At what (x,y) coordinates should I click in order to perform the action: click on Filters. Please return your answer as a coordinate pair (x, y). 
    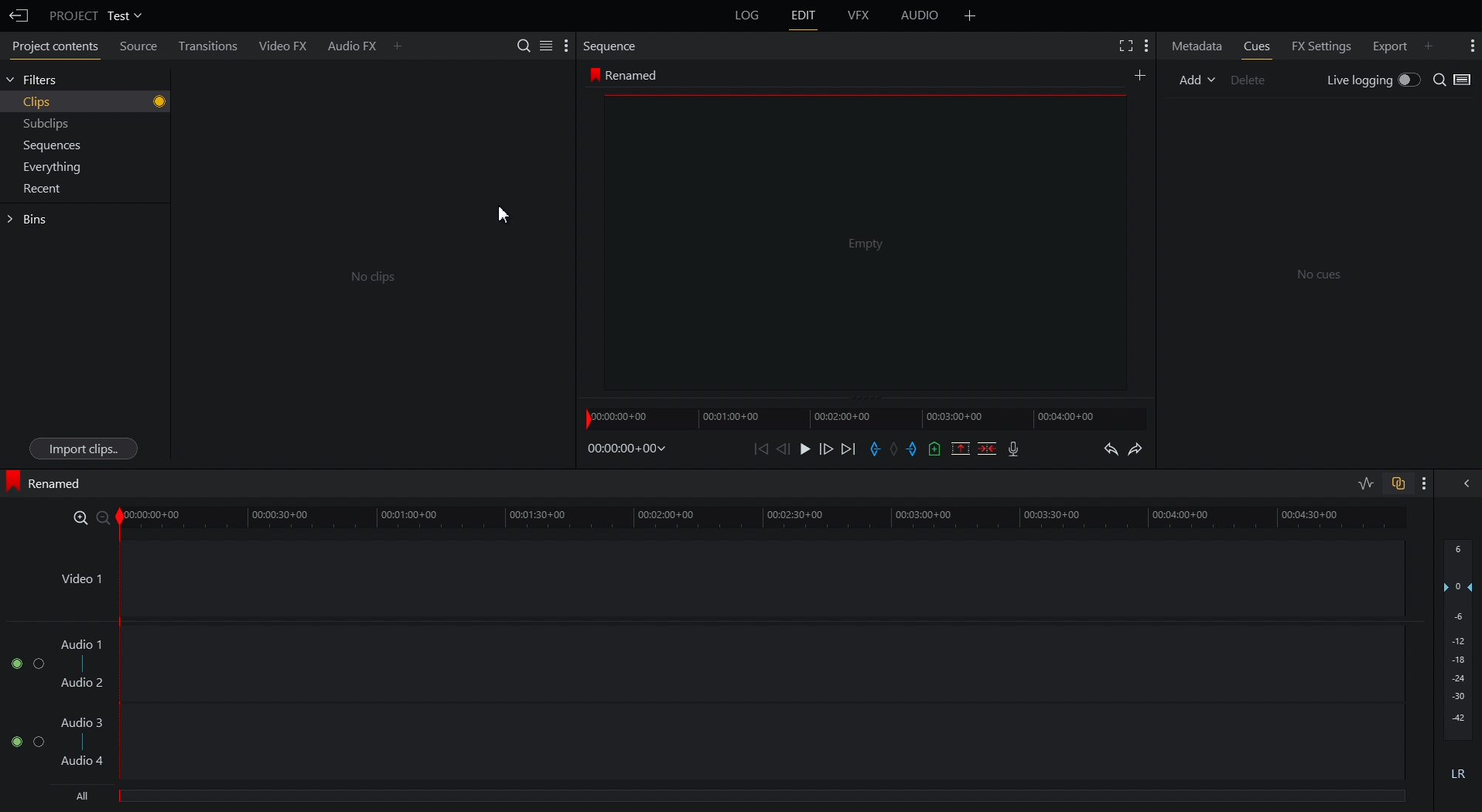
    Looking at the image, I should click on (38, 81).